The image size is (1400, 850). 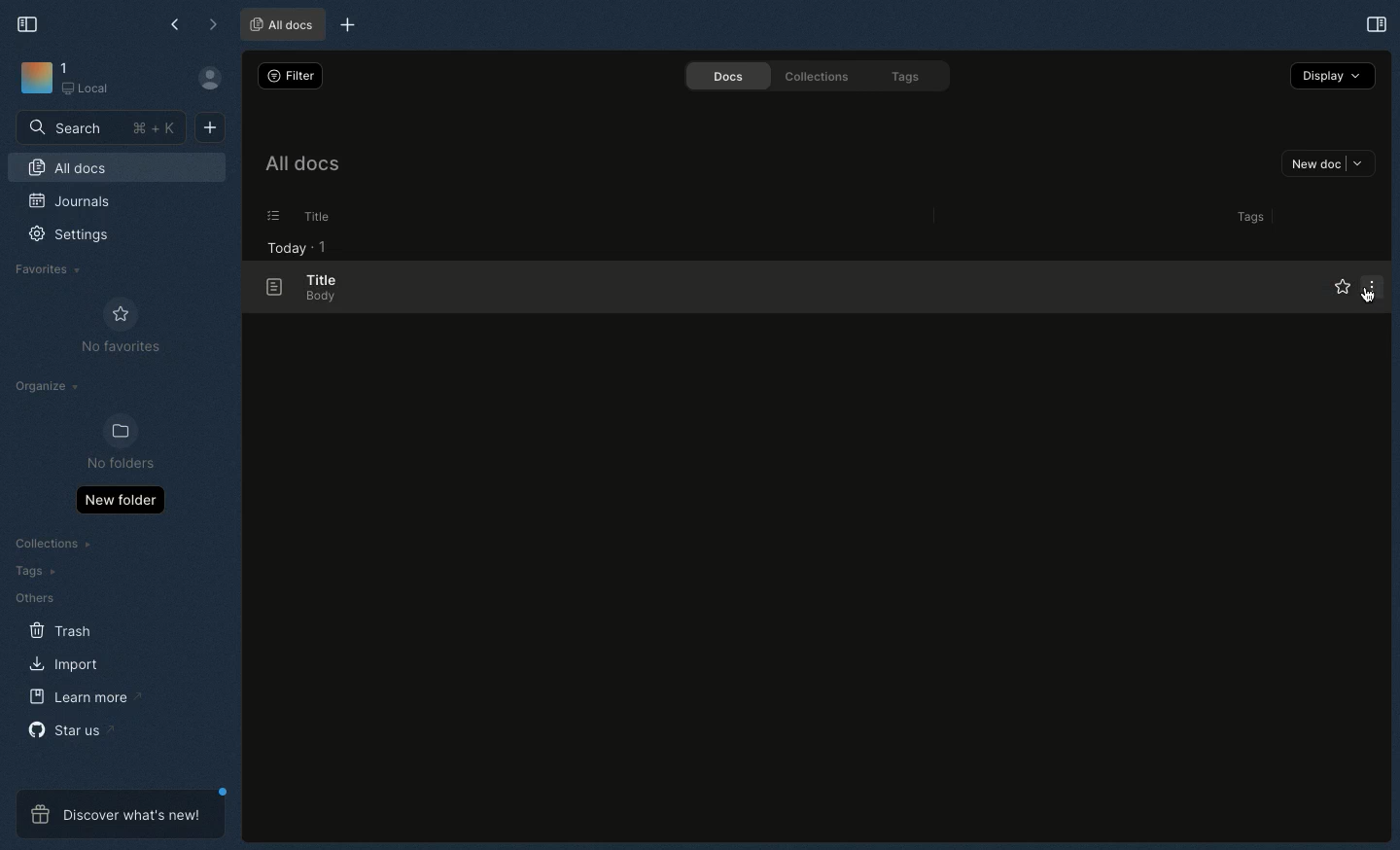 What do you see at coordinates (55, 546) in the screenshot?
I see `Collections` at bounding box center [55, 546].